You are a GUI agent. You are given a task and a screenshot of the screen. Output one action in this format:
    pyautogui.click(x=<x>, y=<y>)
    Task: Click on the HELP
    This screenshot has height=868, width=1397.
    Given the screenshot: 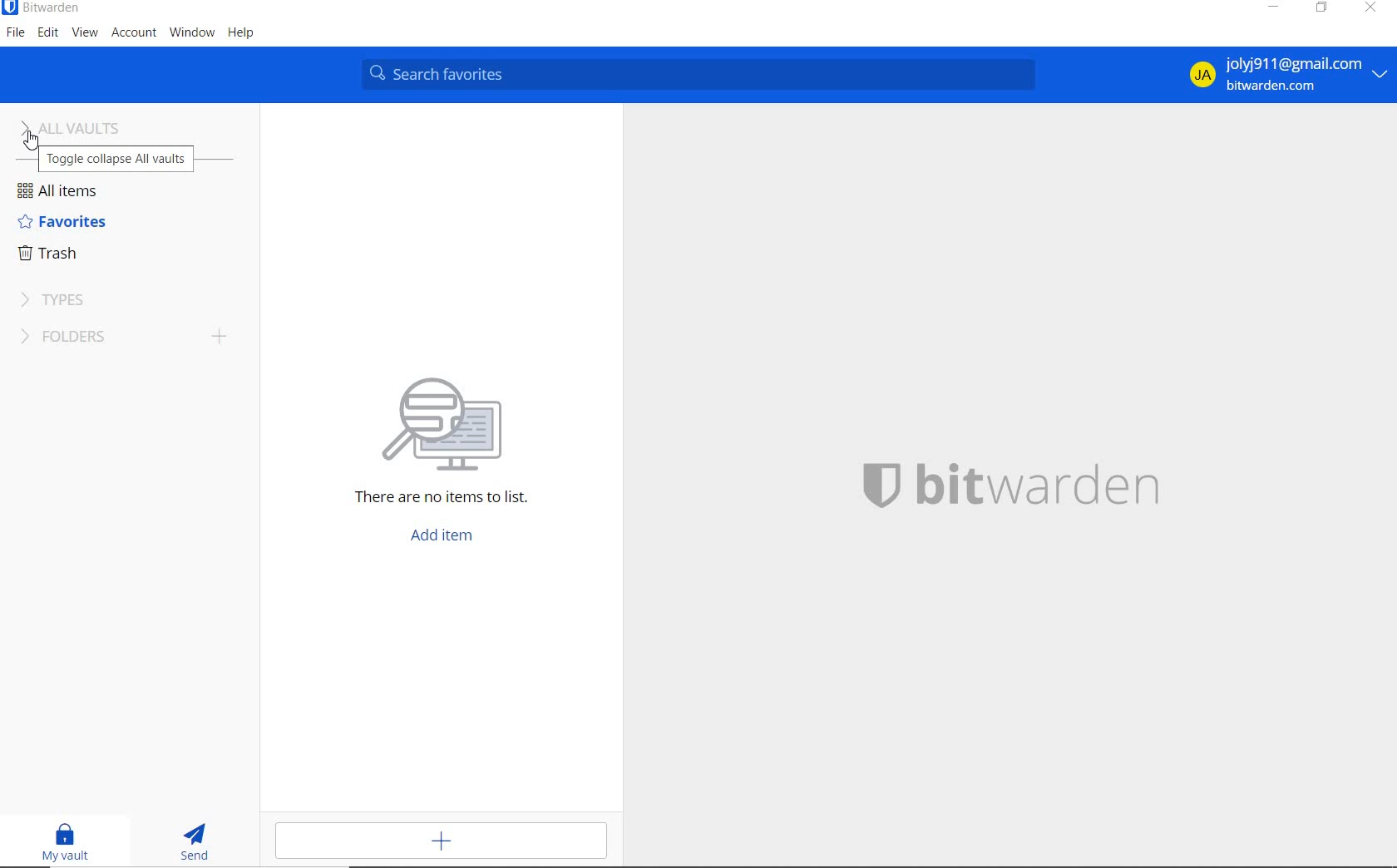 What is the action you would take?
    pyautogui.click(x=241, y=34)
    